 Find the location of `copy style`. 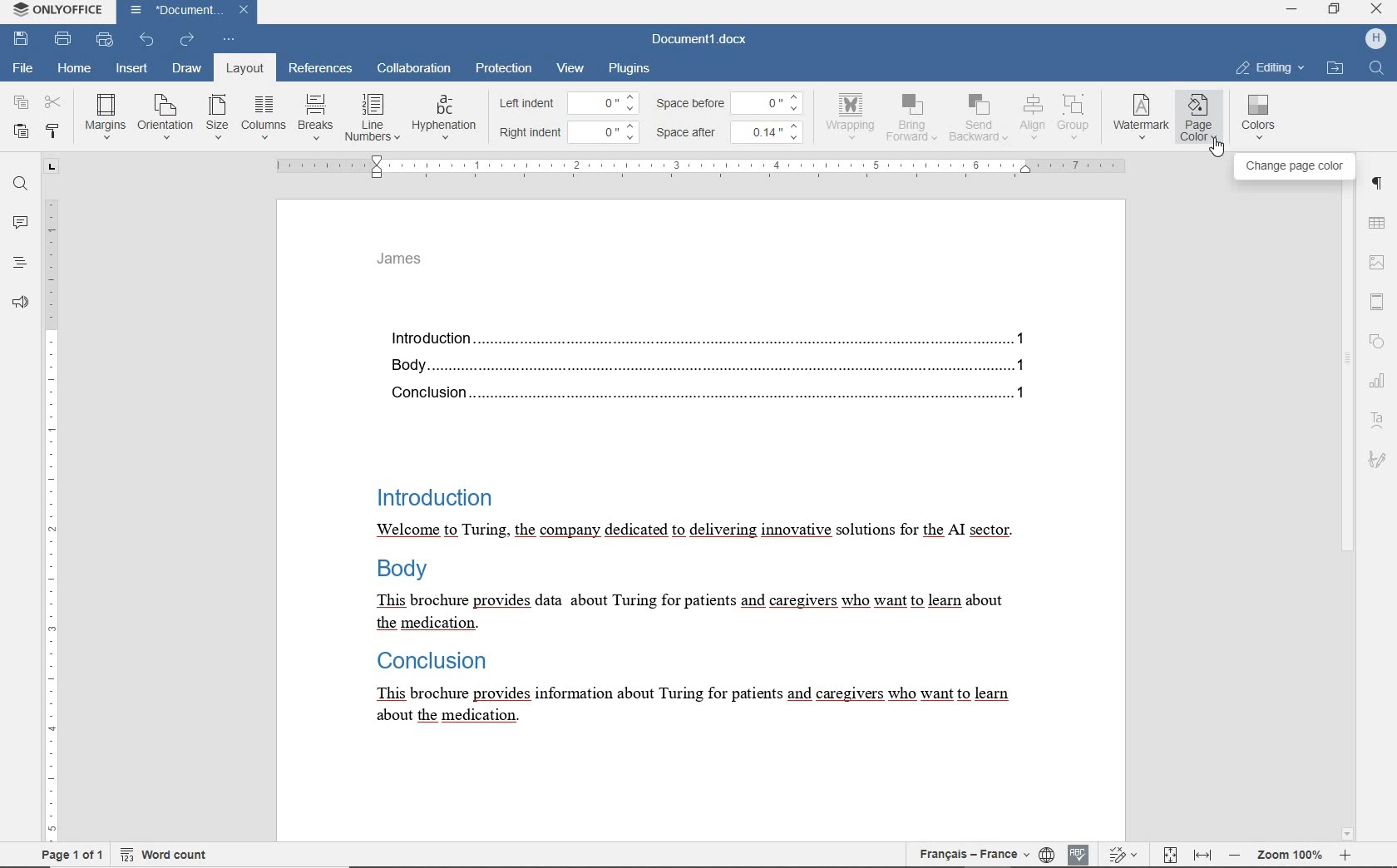

copy style is located at coordinates (53, 131).